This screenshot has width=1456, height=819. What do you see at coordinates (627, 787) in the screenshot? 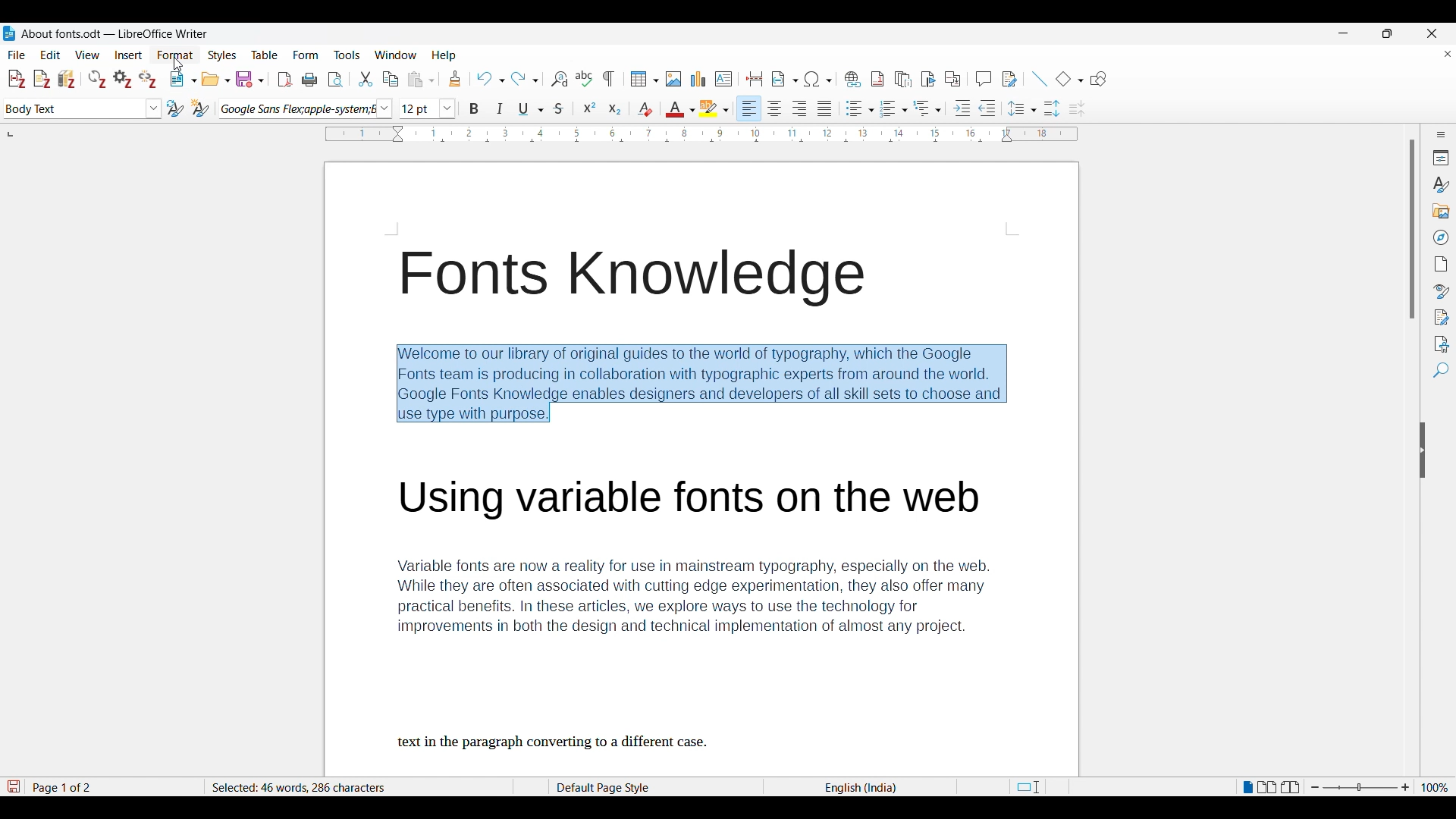
I see `Page style` at bounding box center [627, 787].